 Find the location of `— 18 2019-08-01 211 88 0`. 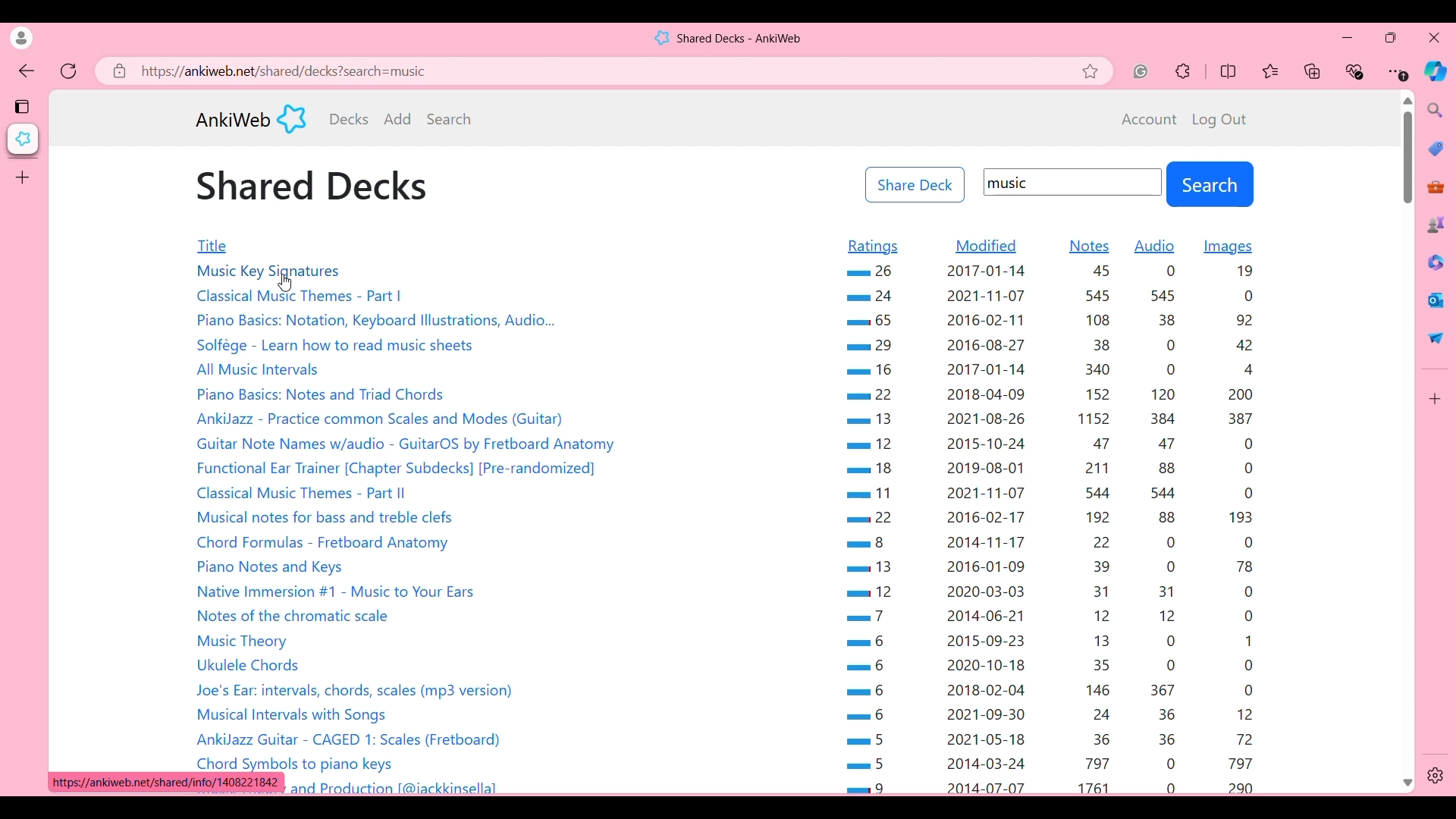

— 18 2019-08-01 211 88 0 is located at coordinates (1046, 468).